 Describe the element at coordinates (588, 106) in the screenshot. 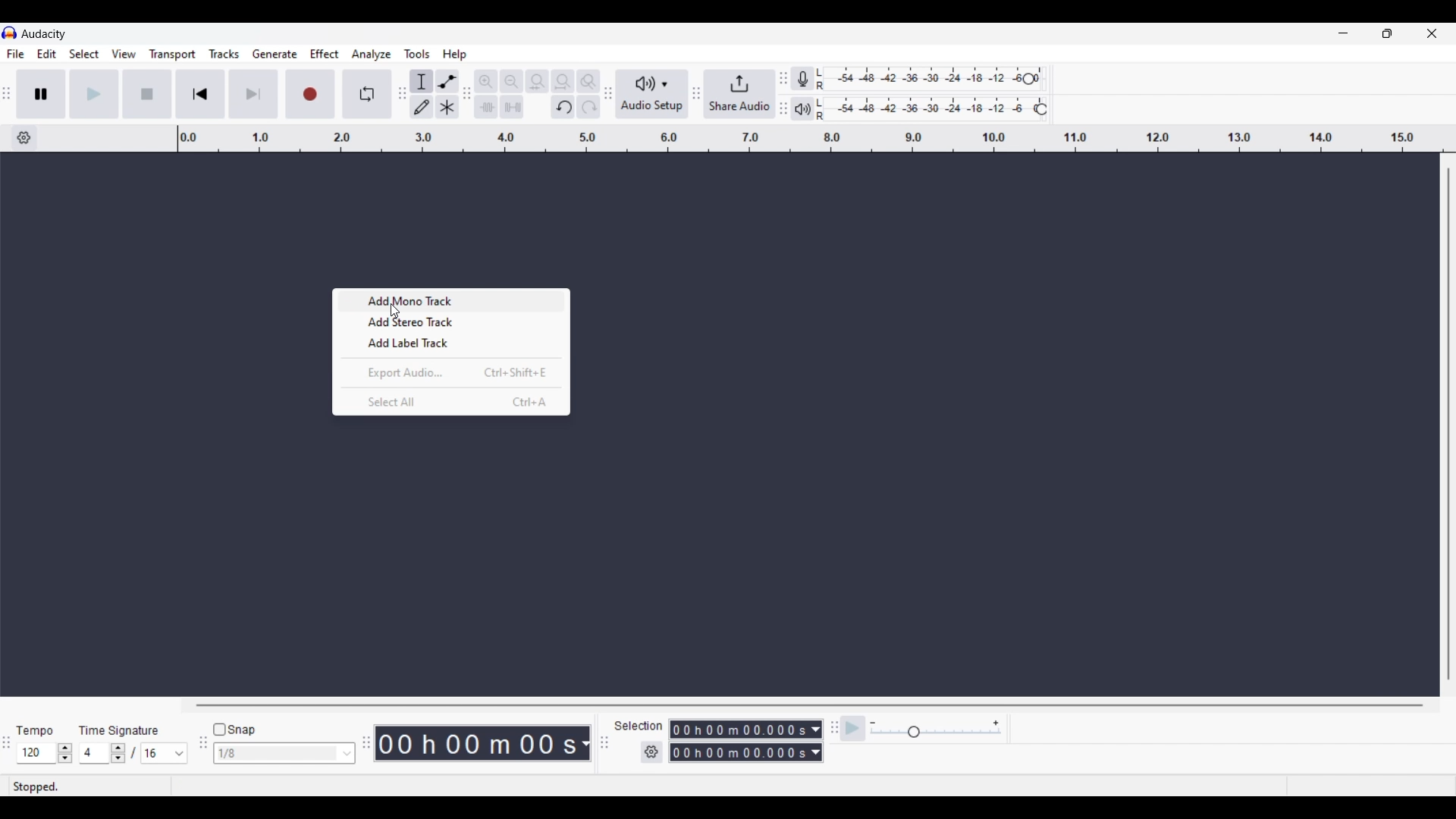

I see `Redo` at that location.